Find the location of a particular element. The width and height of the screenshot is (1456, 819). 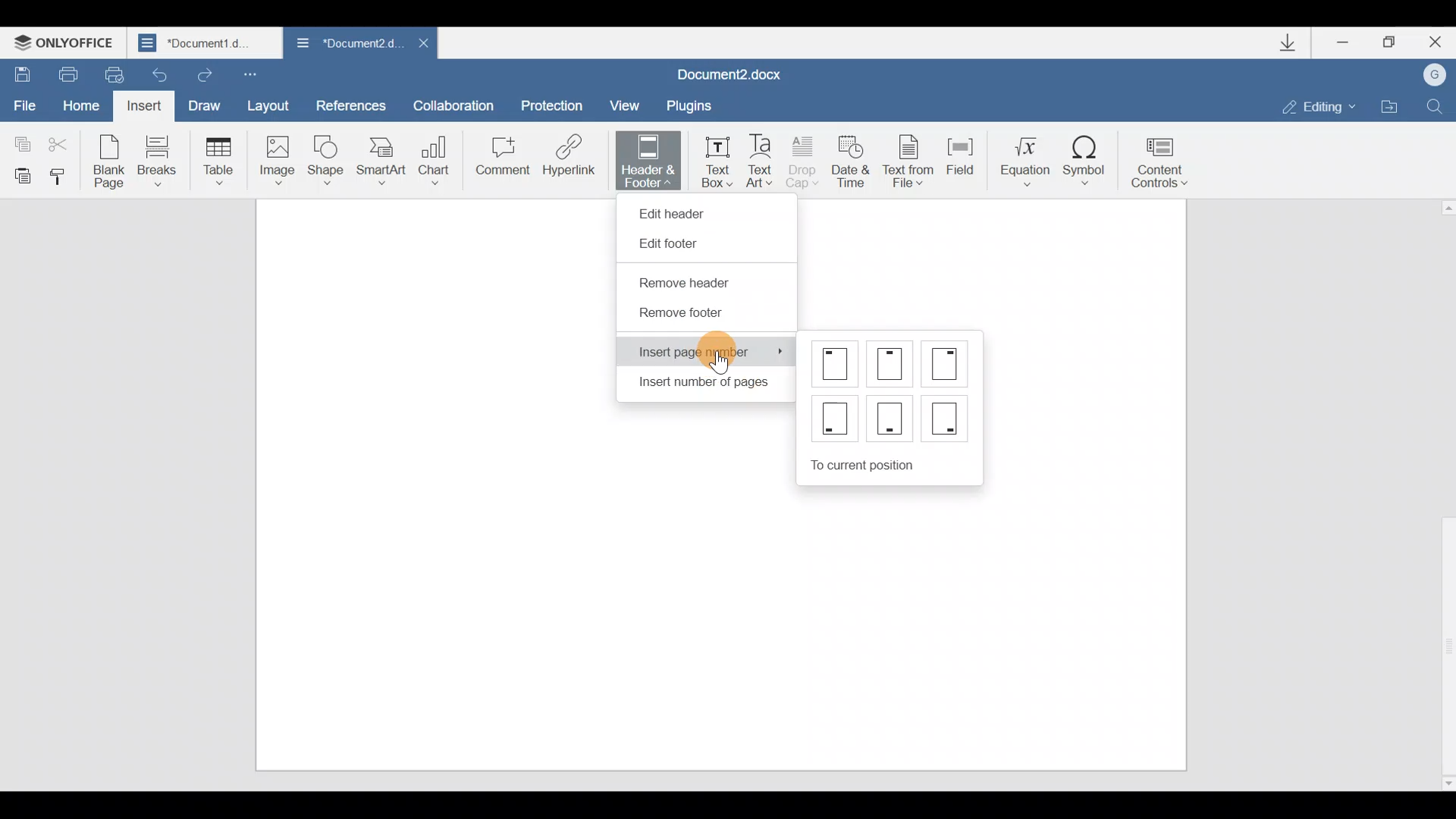

Redo is located at coordinates (206, 77).